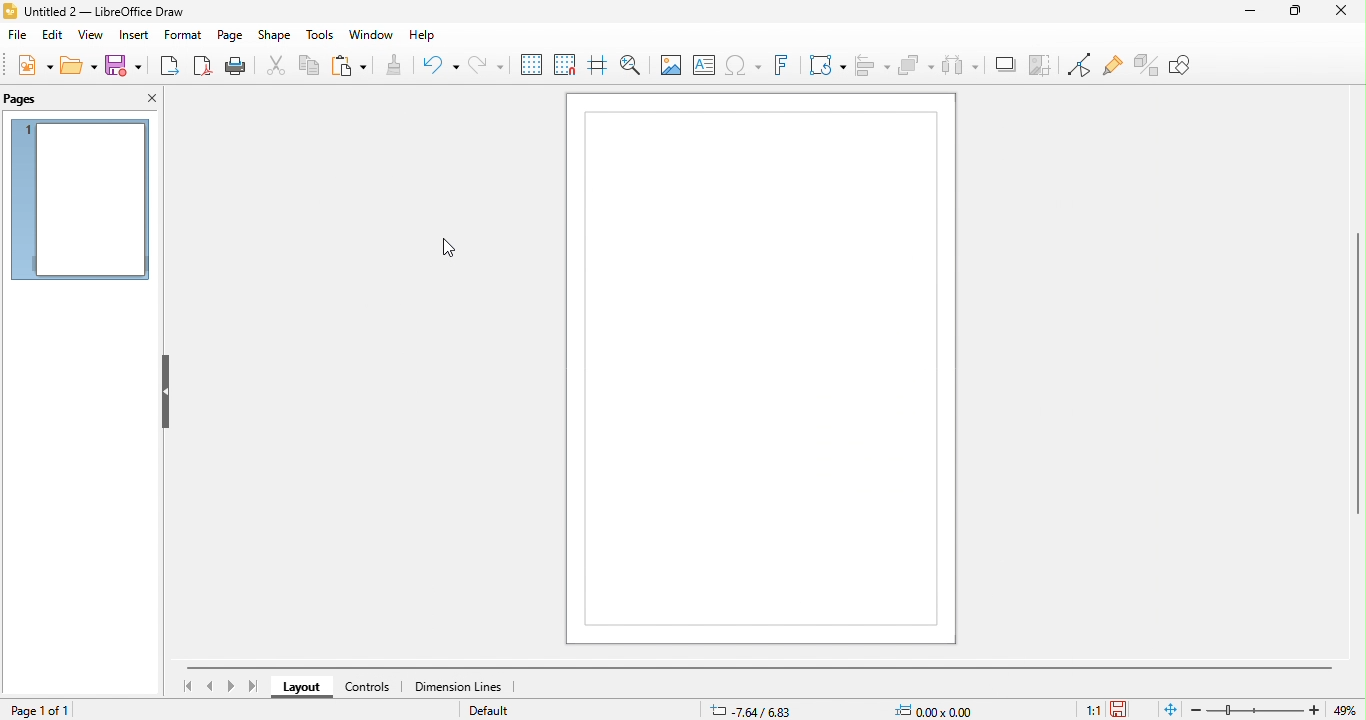  What do you see at coordinates (372, 35) in the screenshot?
I see `window` at bounding box center [372, 35].